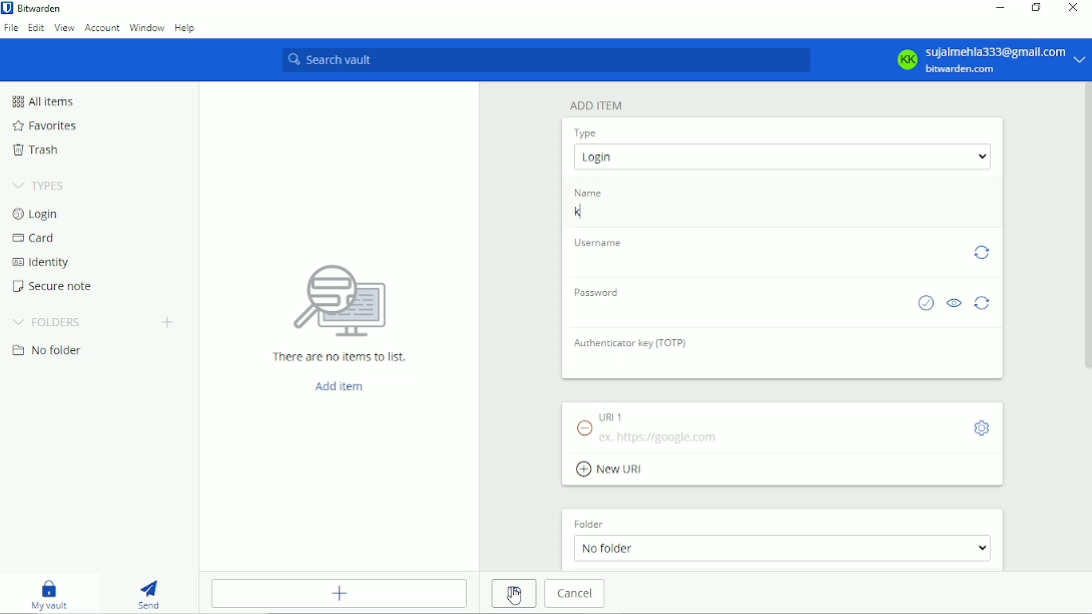 The width and height of the screenshot is (1092, 614). What do you see at coordinates (37, 237) in the screenshot?
I see `Card` at bounding box center [37, 237].